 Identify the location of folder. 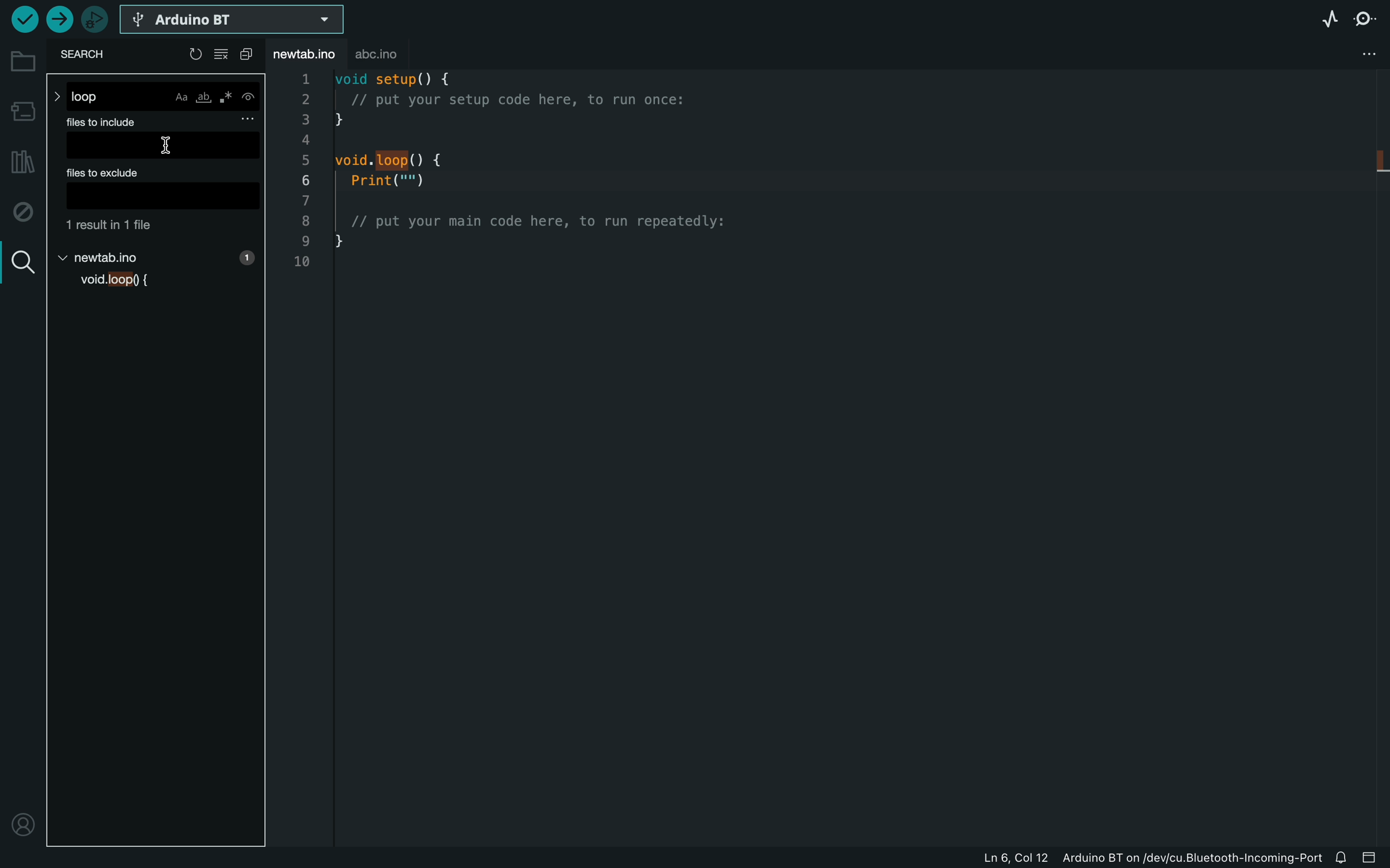
(24, 62).